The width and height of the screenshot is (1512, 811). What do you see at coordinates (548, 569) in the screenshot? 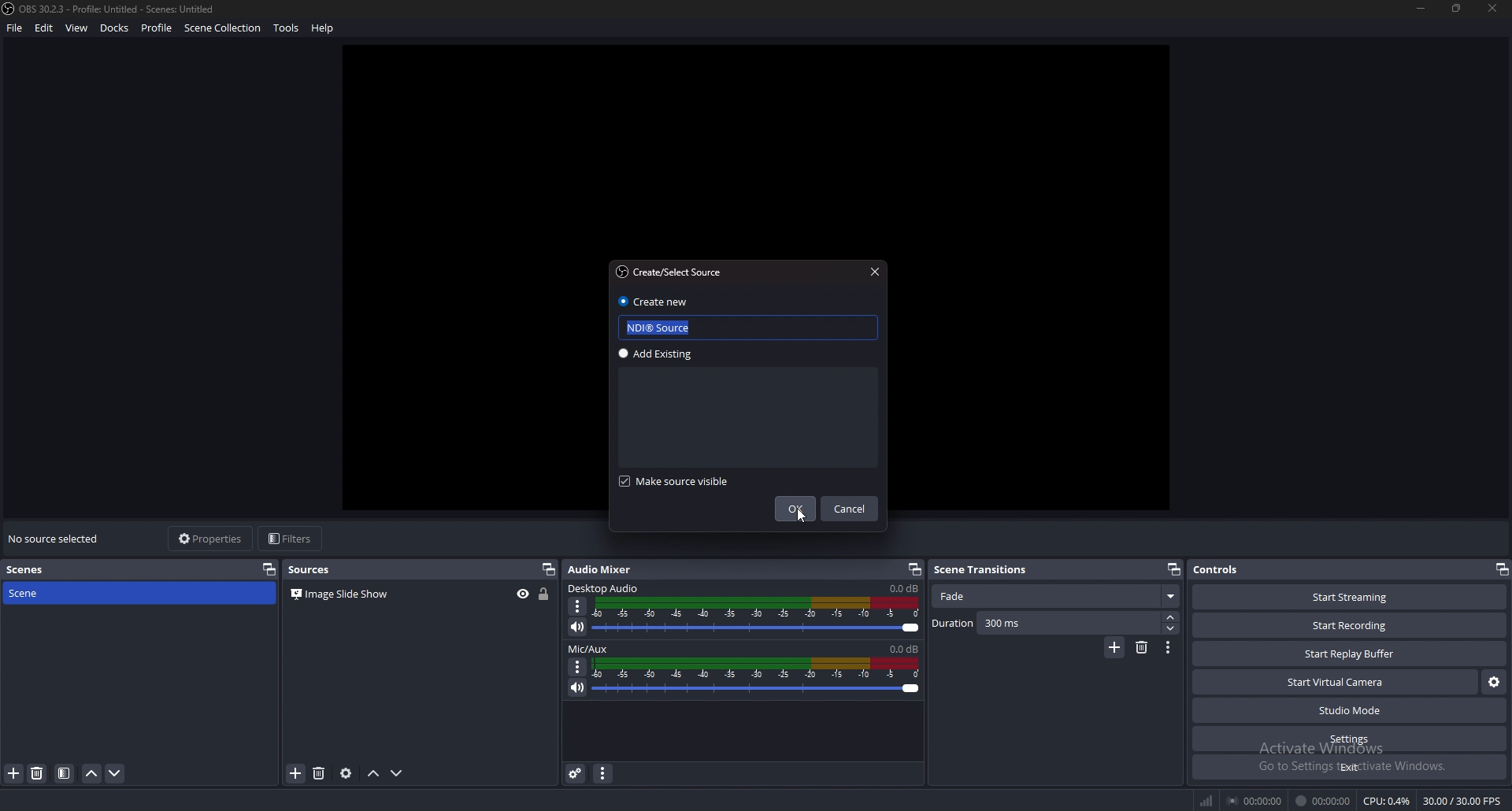
I see `pop out` at bounding box center [548, 569].